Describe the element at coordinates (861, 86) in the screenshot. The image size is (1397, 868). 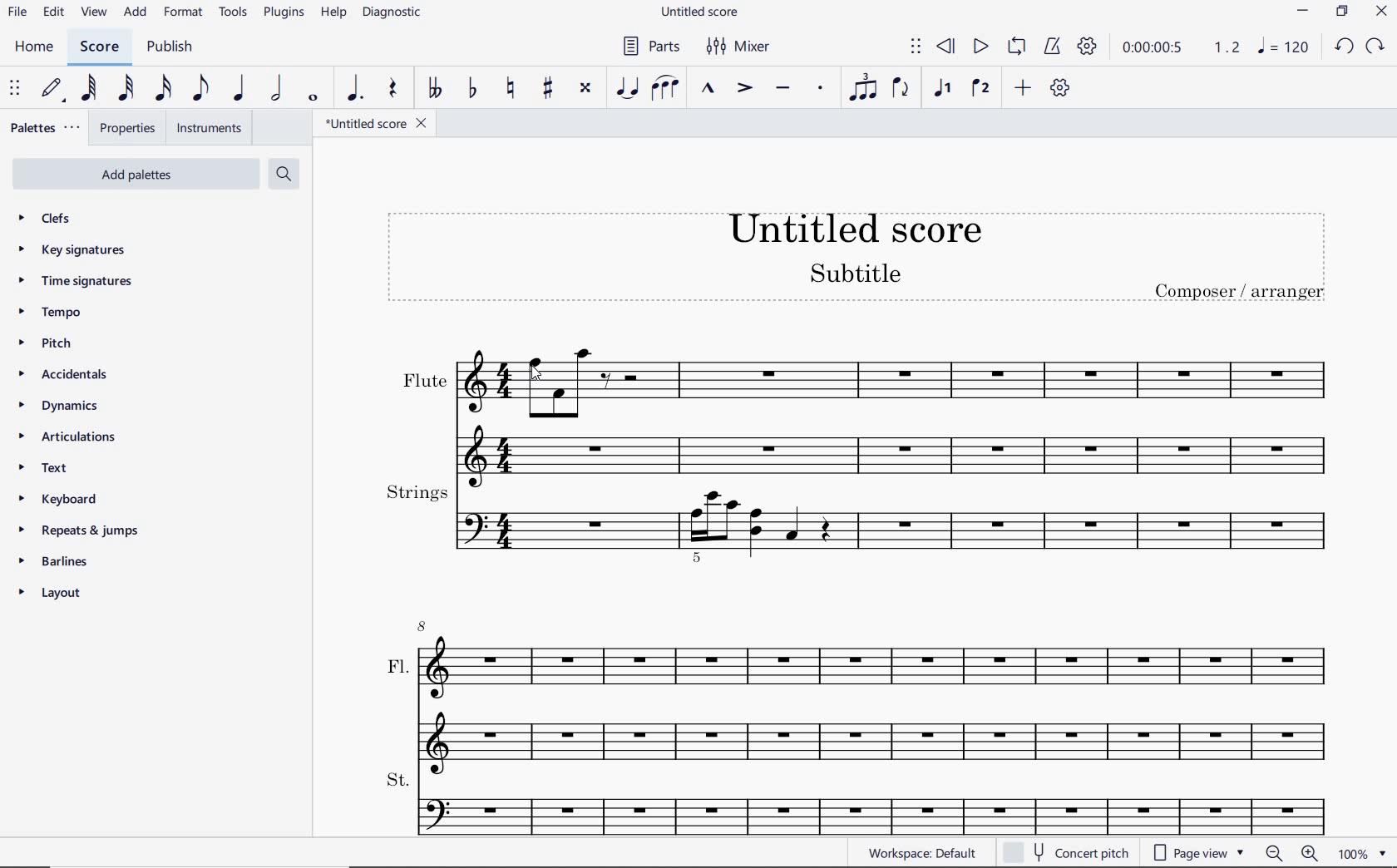
I see `TUPLET` at that location.